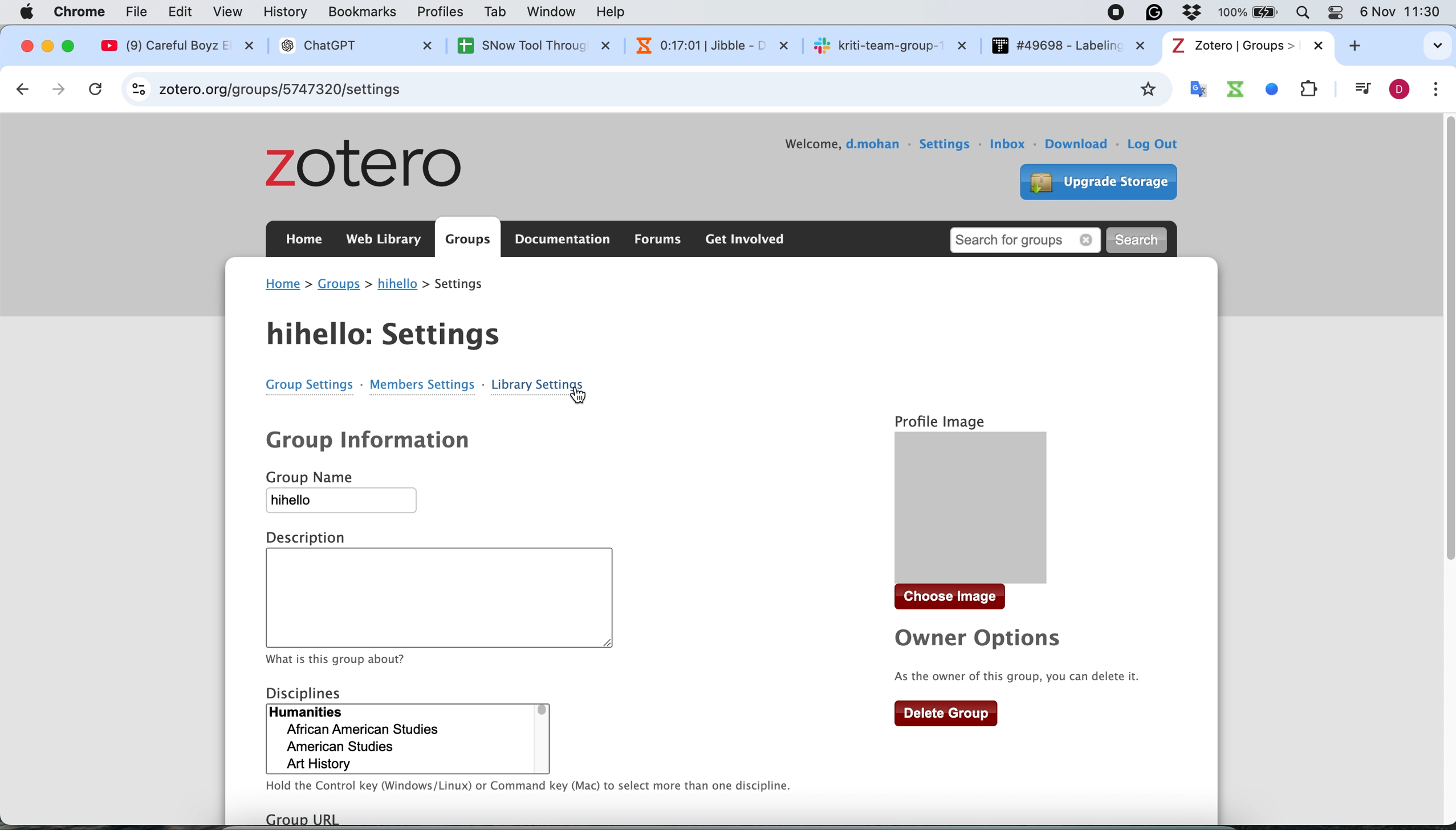 The image size is (1456, 830). I want to click on N 0:16:54 | Jibble - 1 x, so click(703, 44).